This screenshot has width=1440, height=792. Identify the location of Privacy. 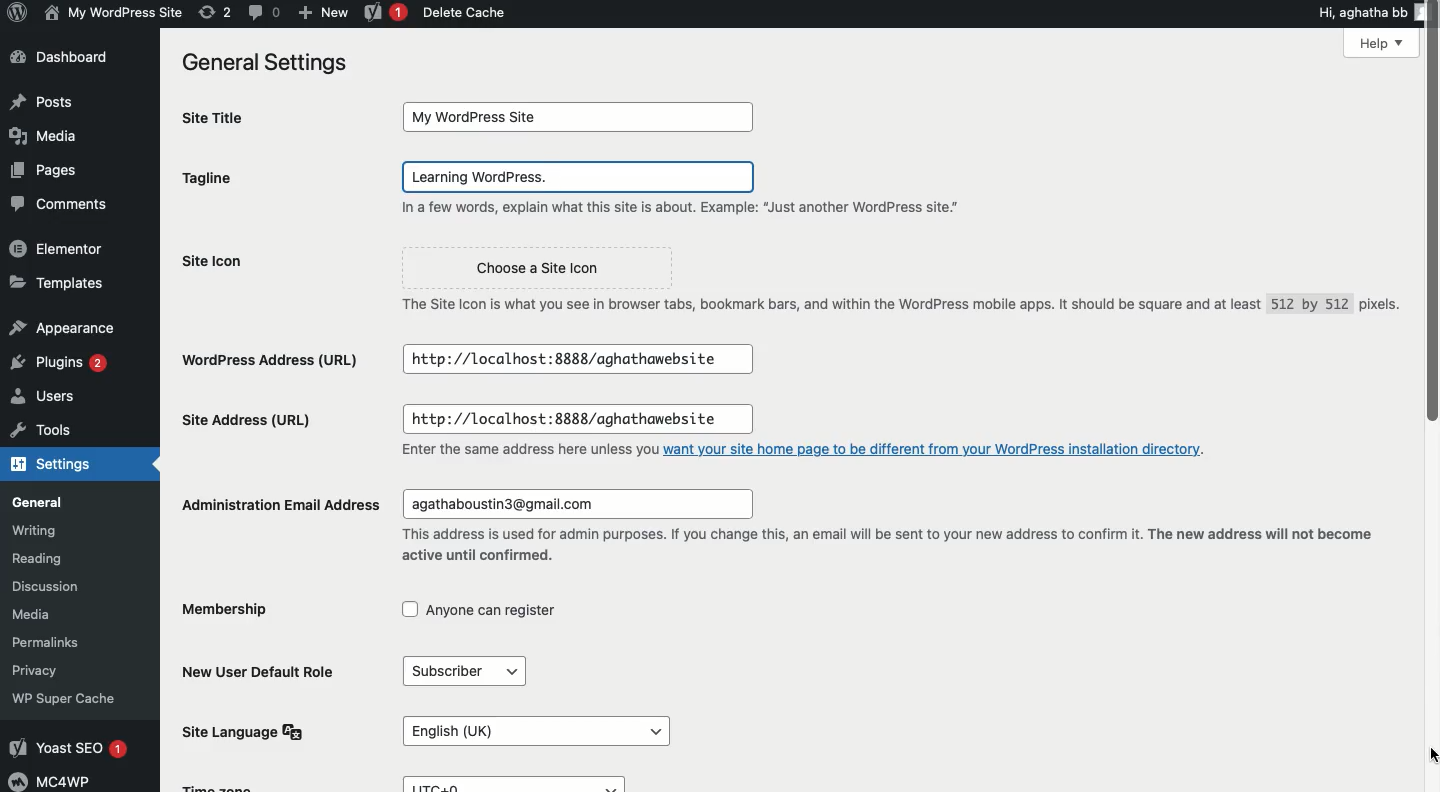
(41, 668).